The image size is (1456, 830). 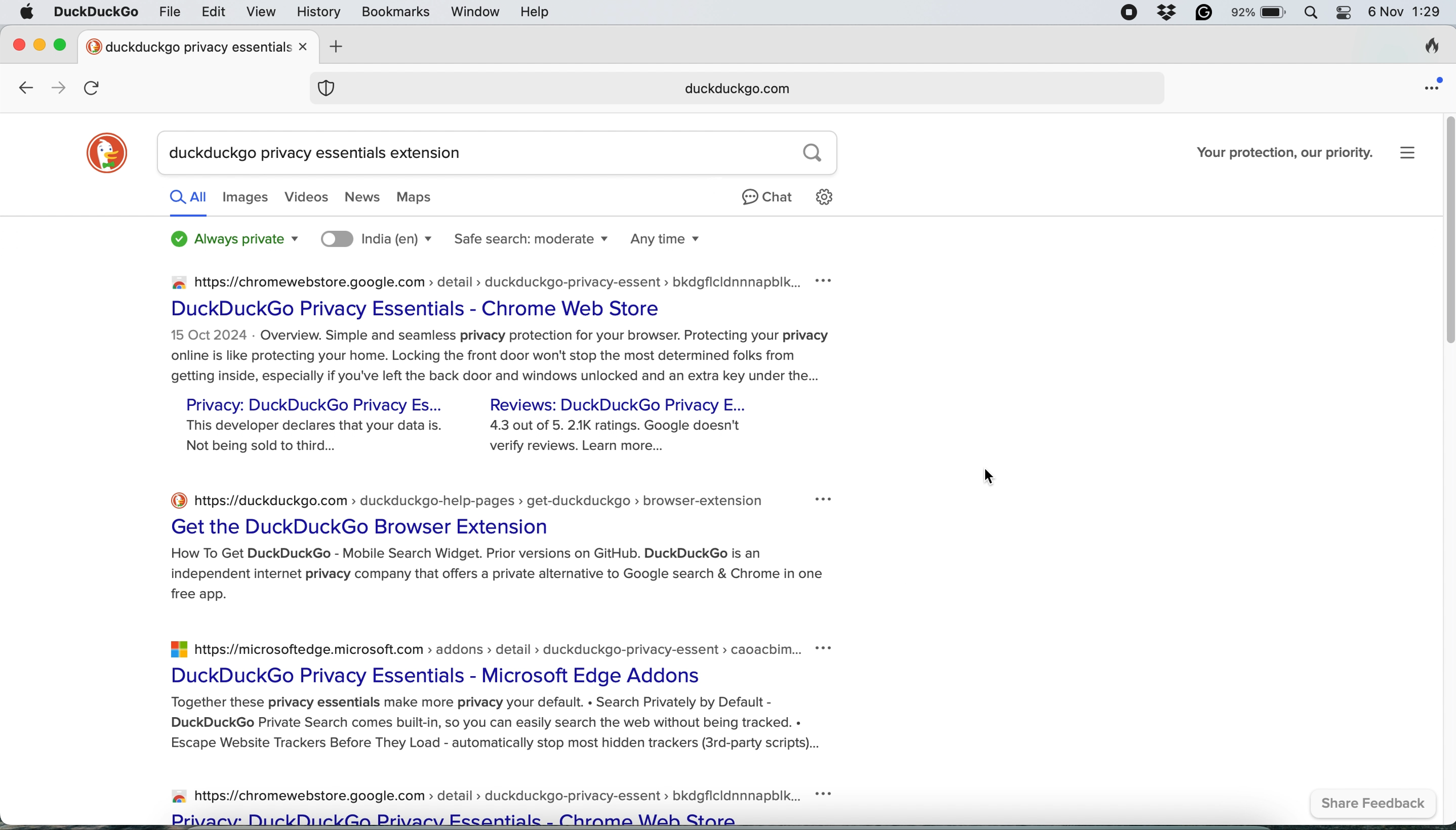 I want to click on close, so click(x=19, y=43).